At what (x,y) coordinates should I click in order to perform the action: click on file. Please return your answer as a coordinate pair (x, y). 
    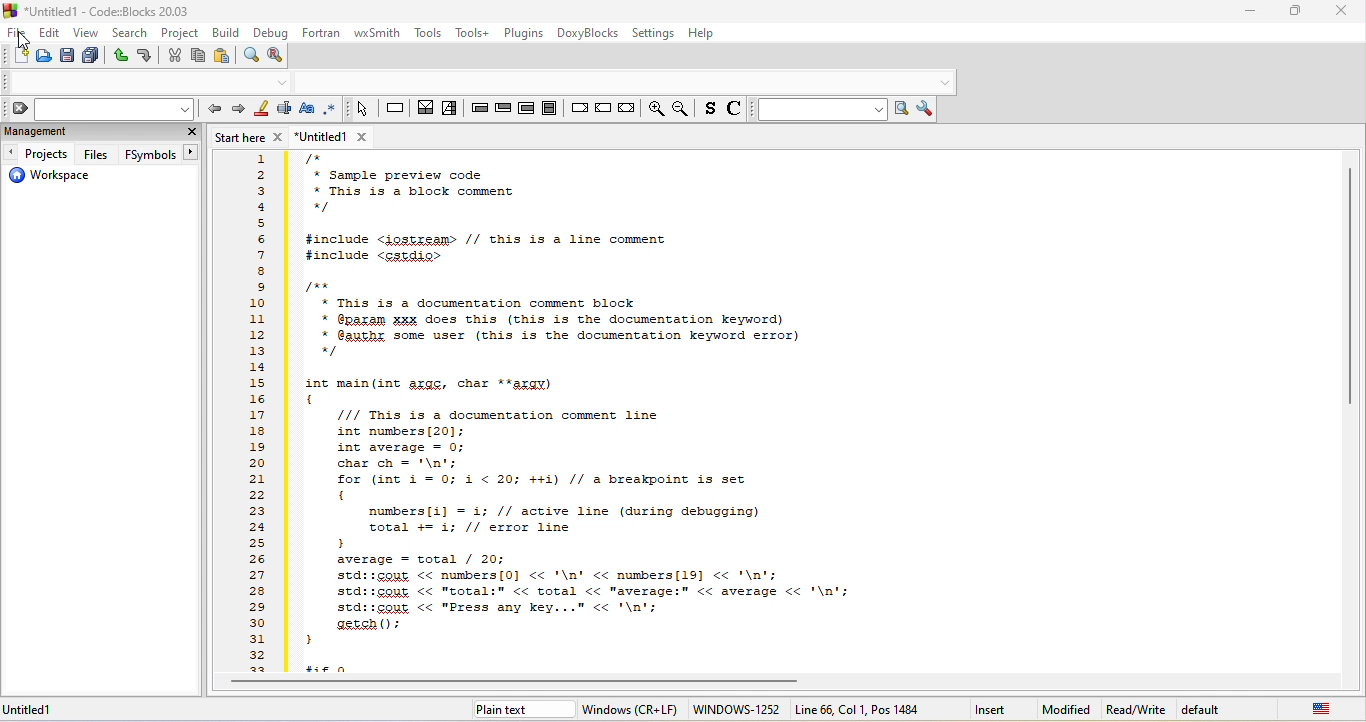
    Looking at the image, I should click on (16, 33).